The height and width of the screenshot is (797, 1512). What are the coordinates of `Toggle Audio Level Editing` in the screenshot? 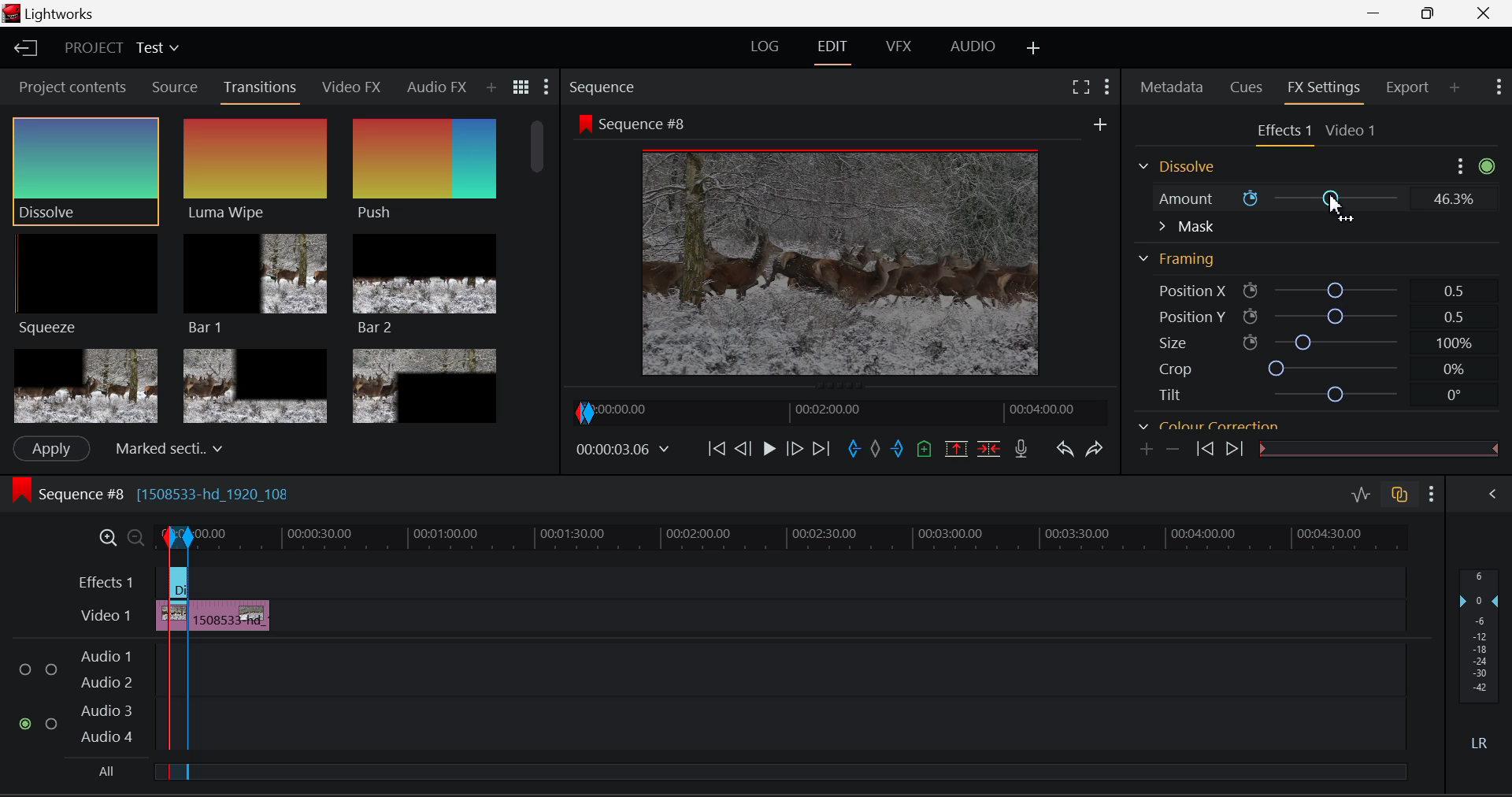 It's located at (1362, 496).